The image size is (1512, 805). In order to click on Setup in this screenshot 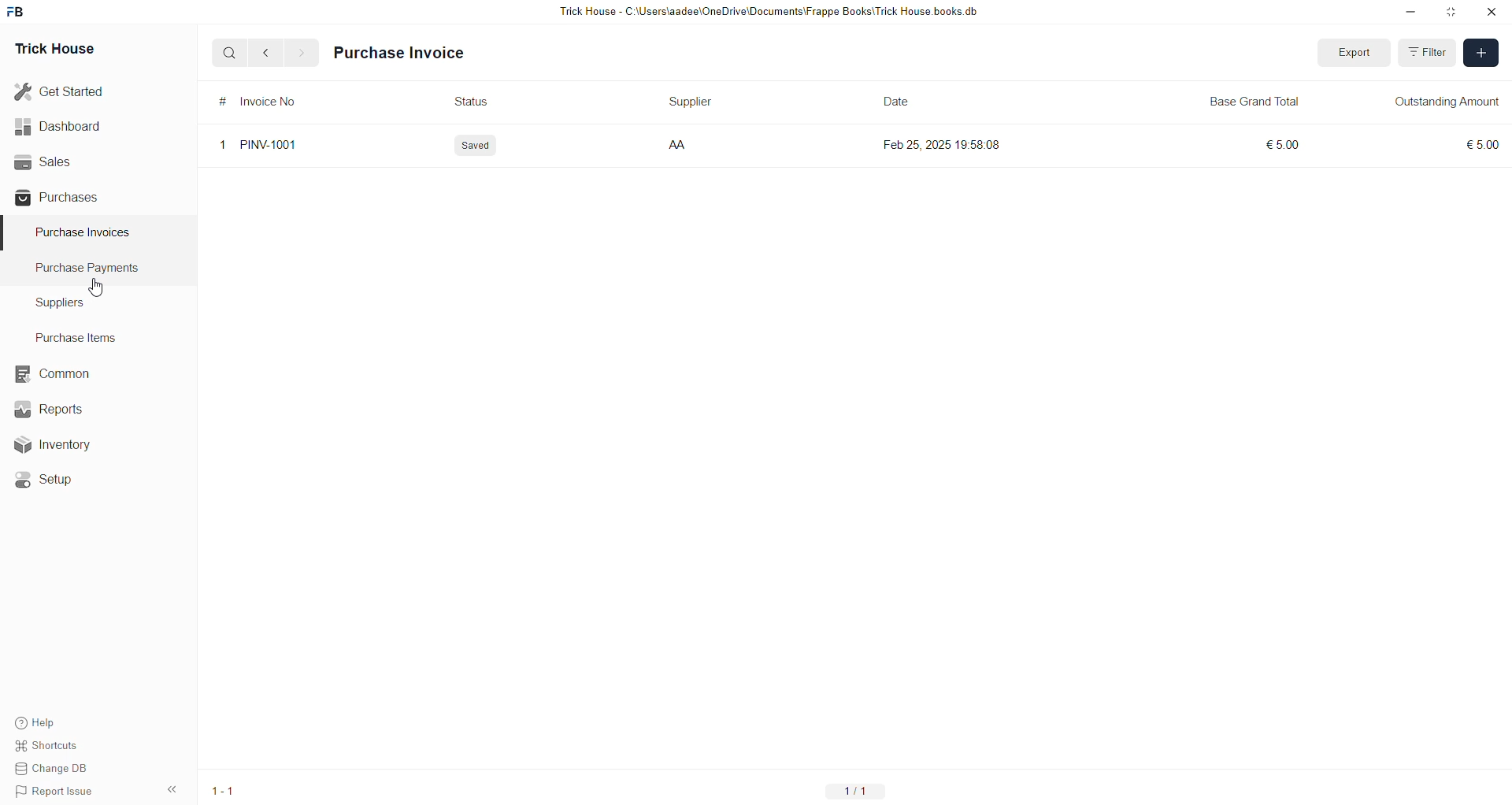, I will do `click(43, 478)`.